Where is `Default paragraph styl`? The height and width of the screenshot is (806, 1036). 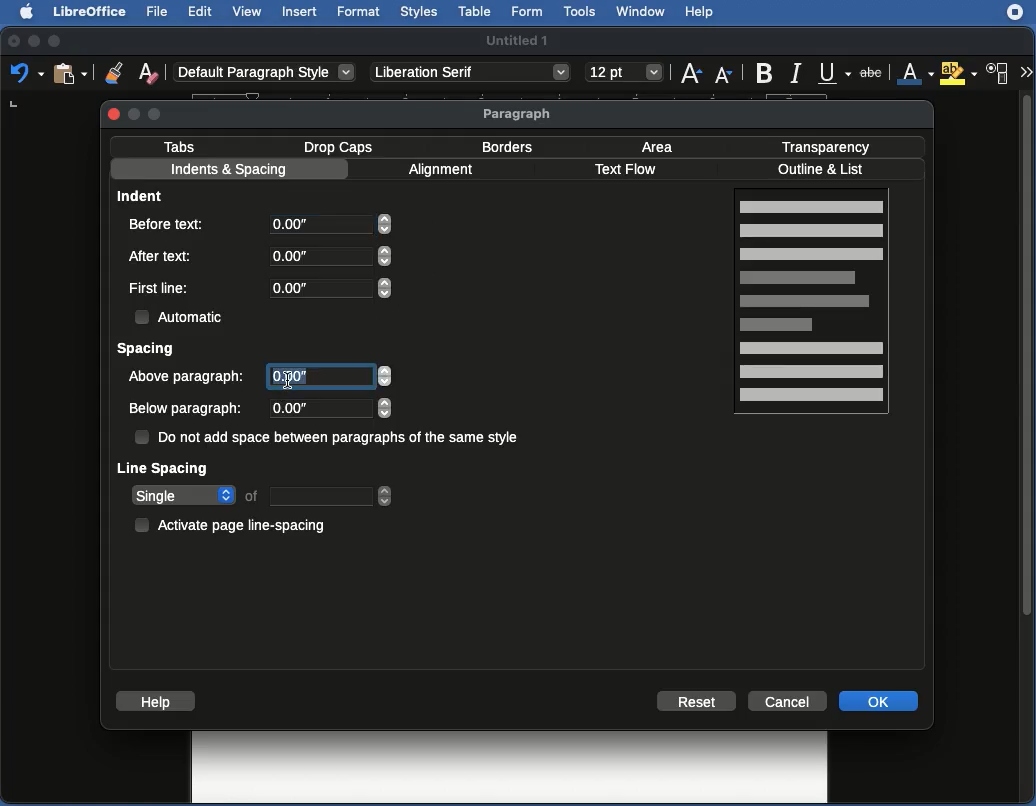
Default paragraph styl is located at coordinates (265, 73).